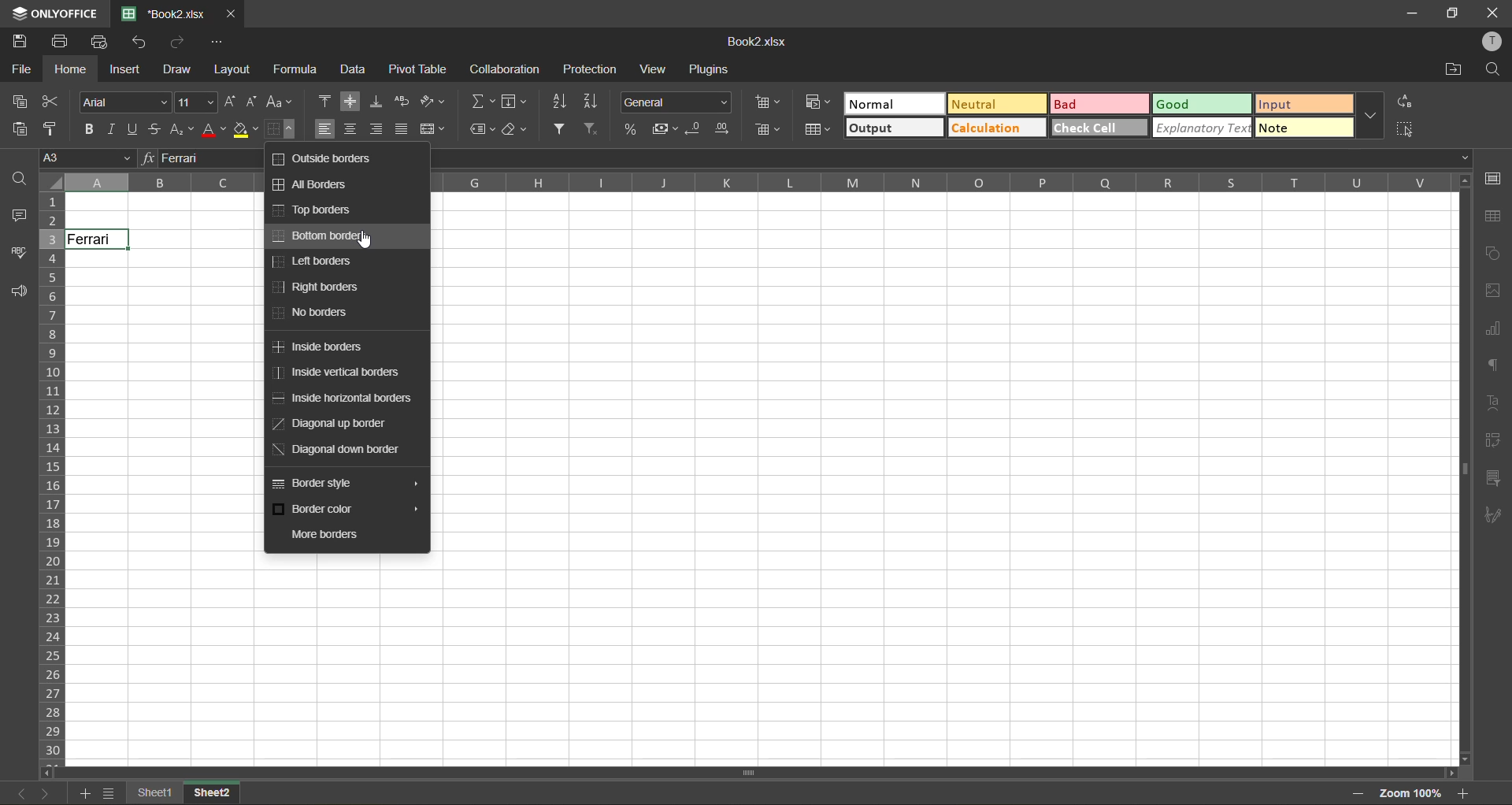  What do you see at coordinates (330, 425) in the screenshot?
I see `diagonal up border` at bounding box center [330, 425].